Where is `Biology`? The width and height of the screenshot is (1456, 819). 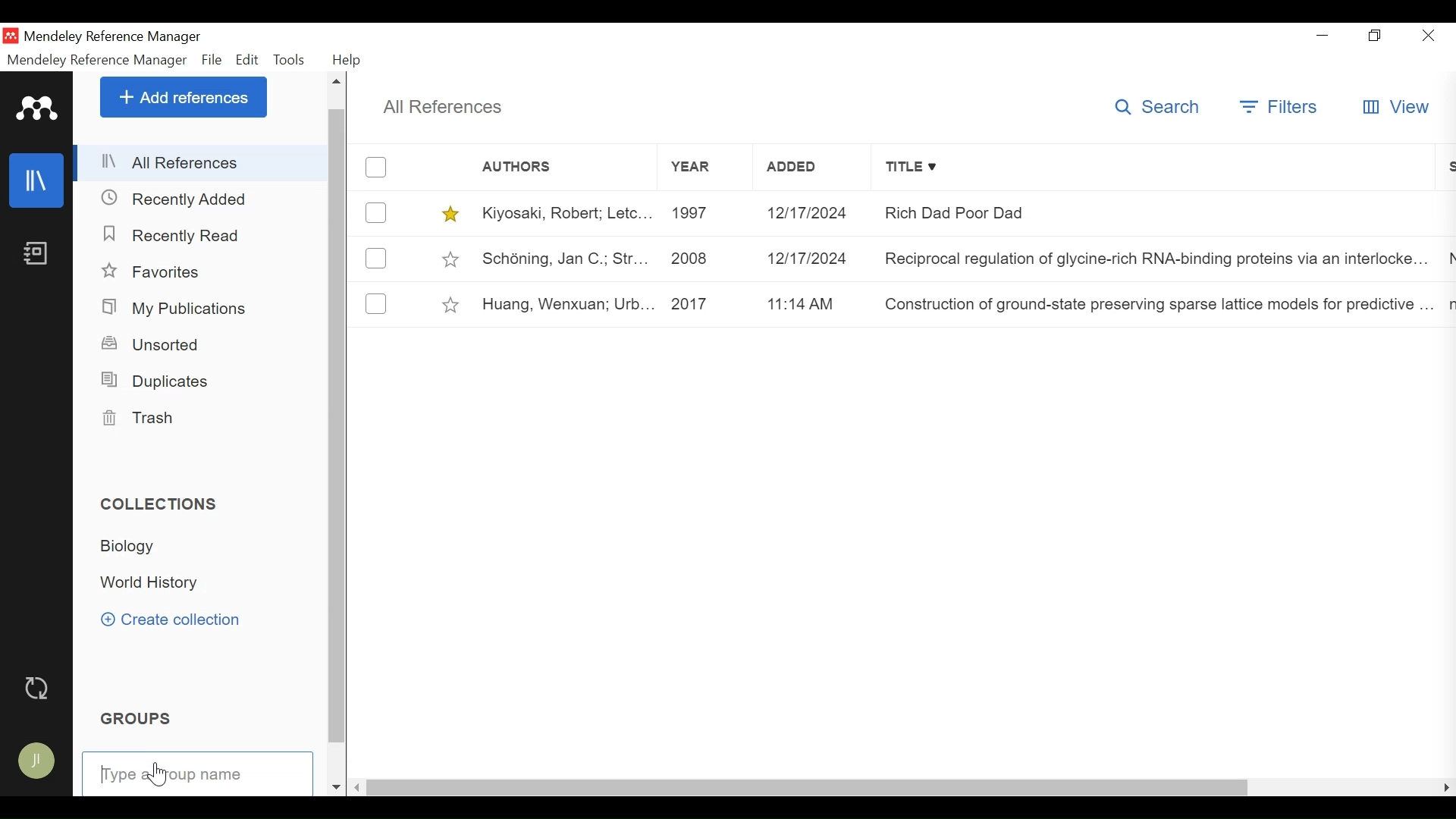 Biology is located at coordinates (137, 548).